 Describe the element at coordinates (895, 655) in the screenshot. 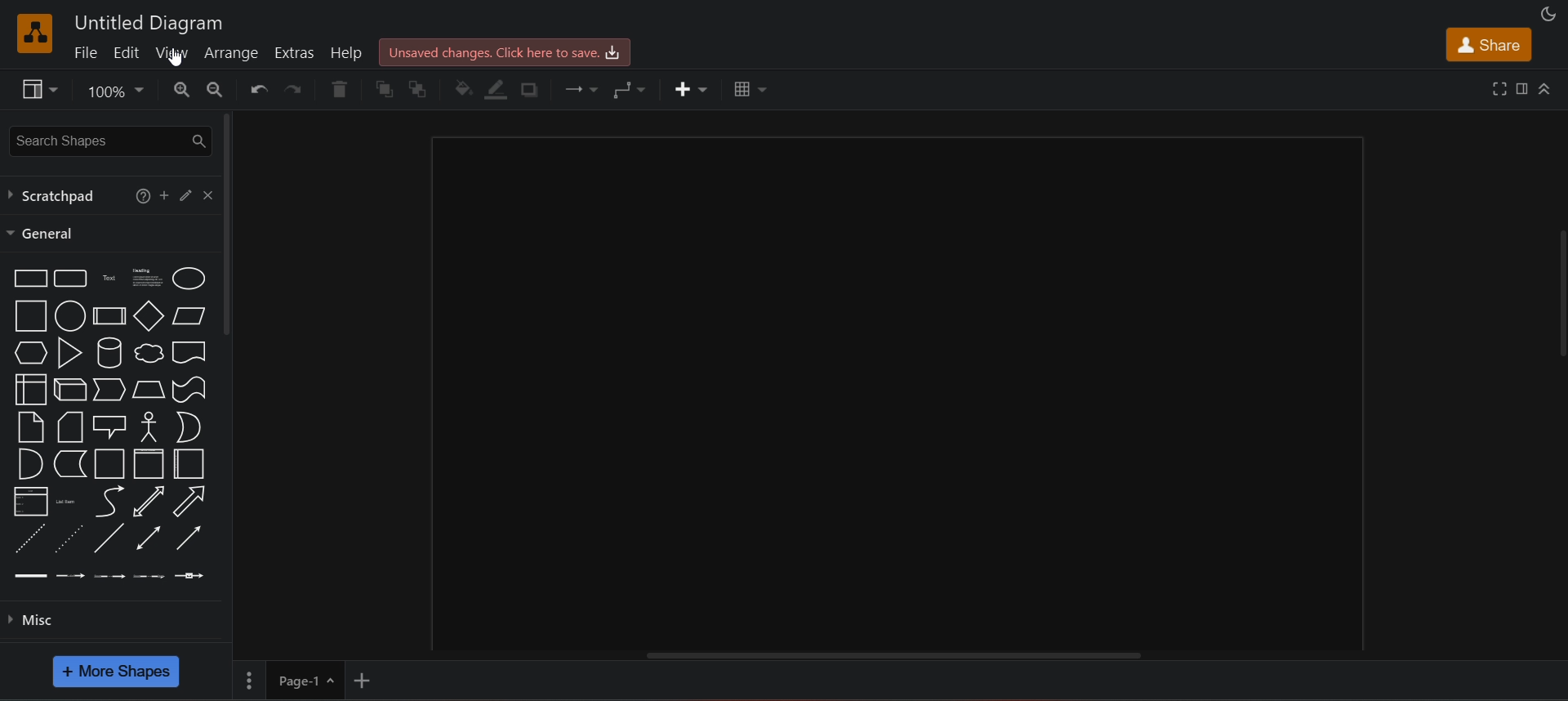

I see `horizontal scroll bar` at that location.